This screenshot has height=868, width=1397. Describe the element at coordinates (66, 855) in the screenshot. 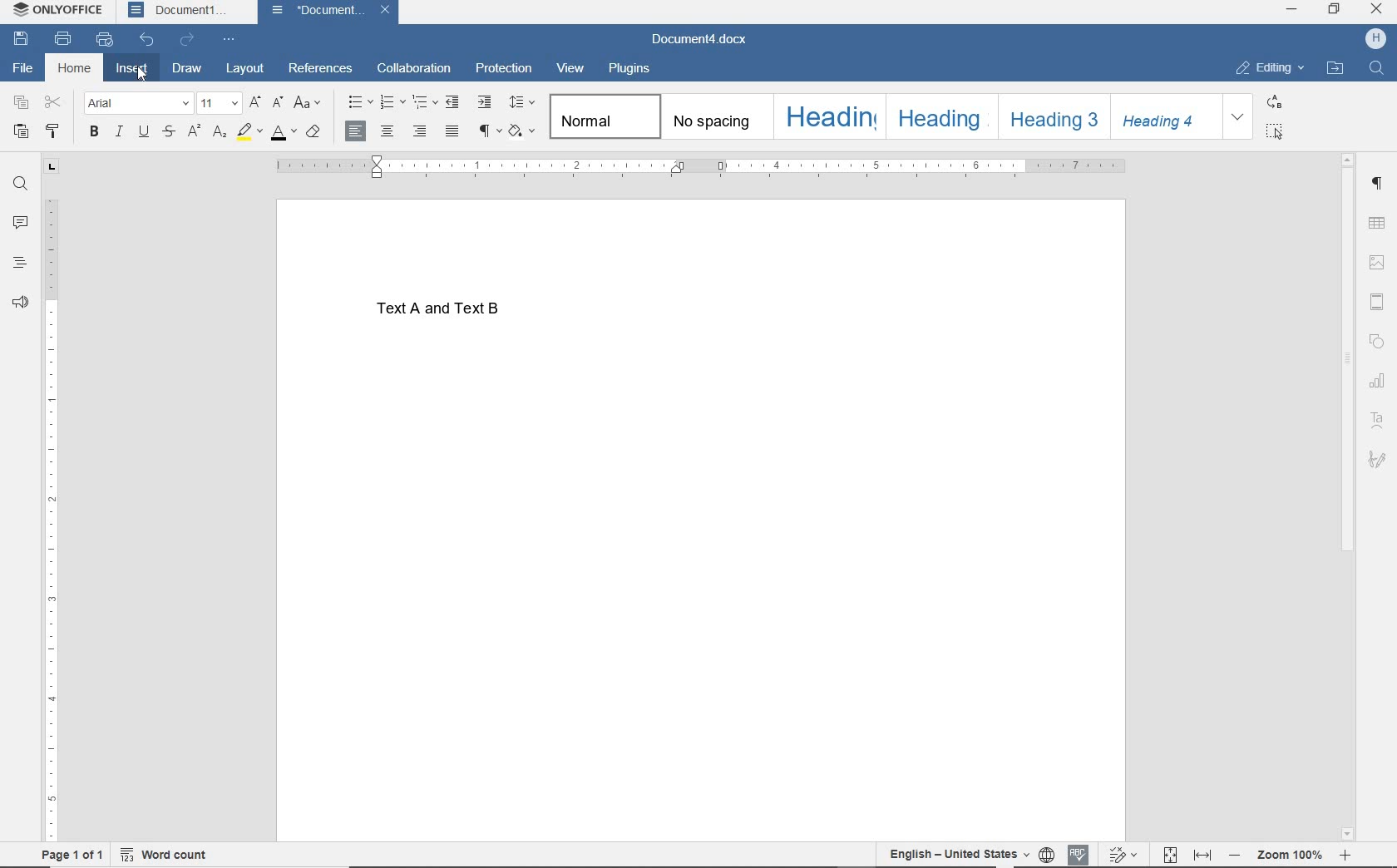

I see `PAGE 1 OF 1` at that location.